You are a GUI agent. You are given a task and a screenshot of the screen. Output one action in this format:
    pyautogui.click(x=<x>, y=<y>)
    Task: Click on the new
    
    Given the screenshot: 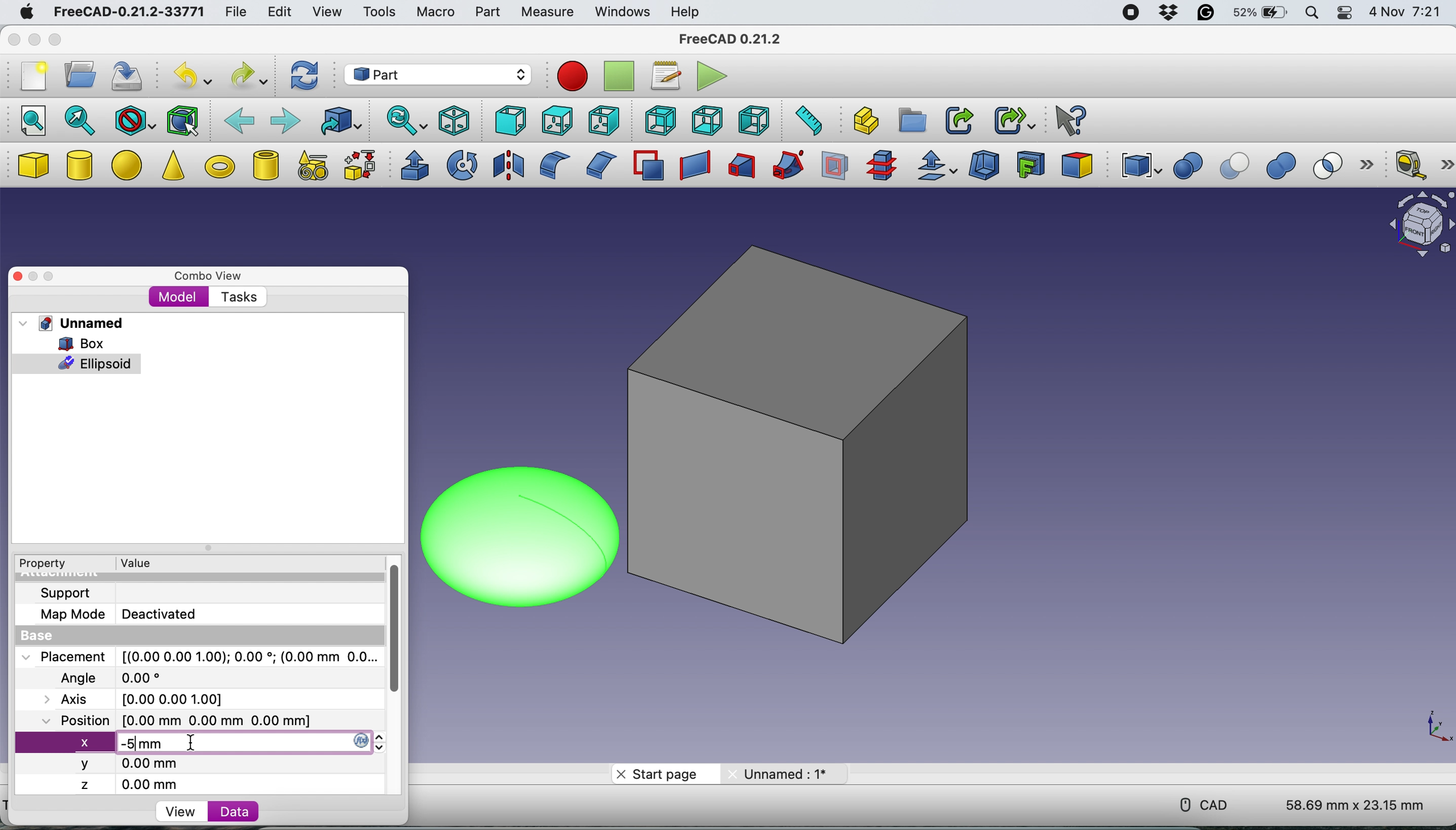 What is the action you would take?
    pyautogui.click(x=31, y=79)
    